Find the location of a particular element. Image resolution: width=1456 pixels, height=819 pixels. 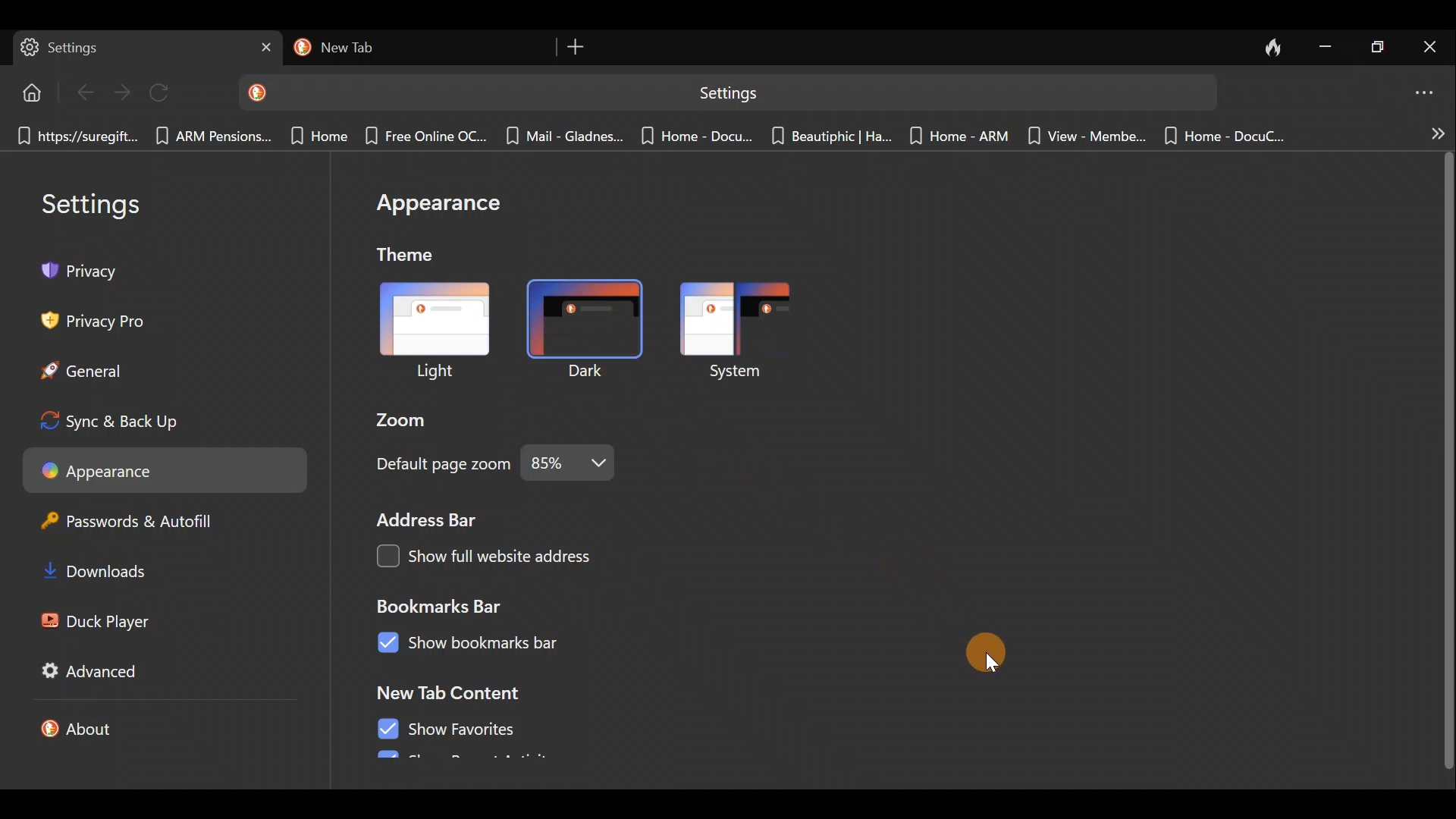

Light is located at coordinates (431, 334).